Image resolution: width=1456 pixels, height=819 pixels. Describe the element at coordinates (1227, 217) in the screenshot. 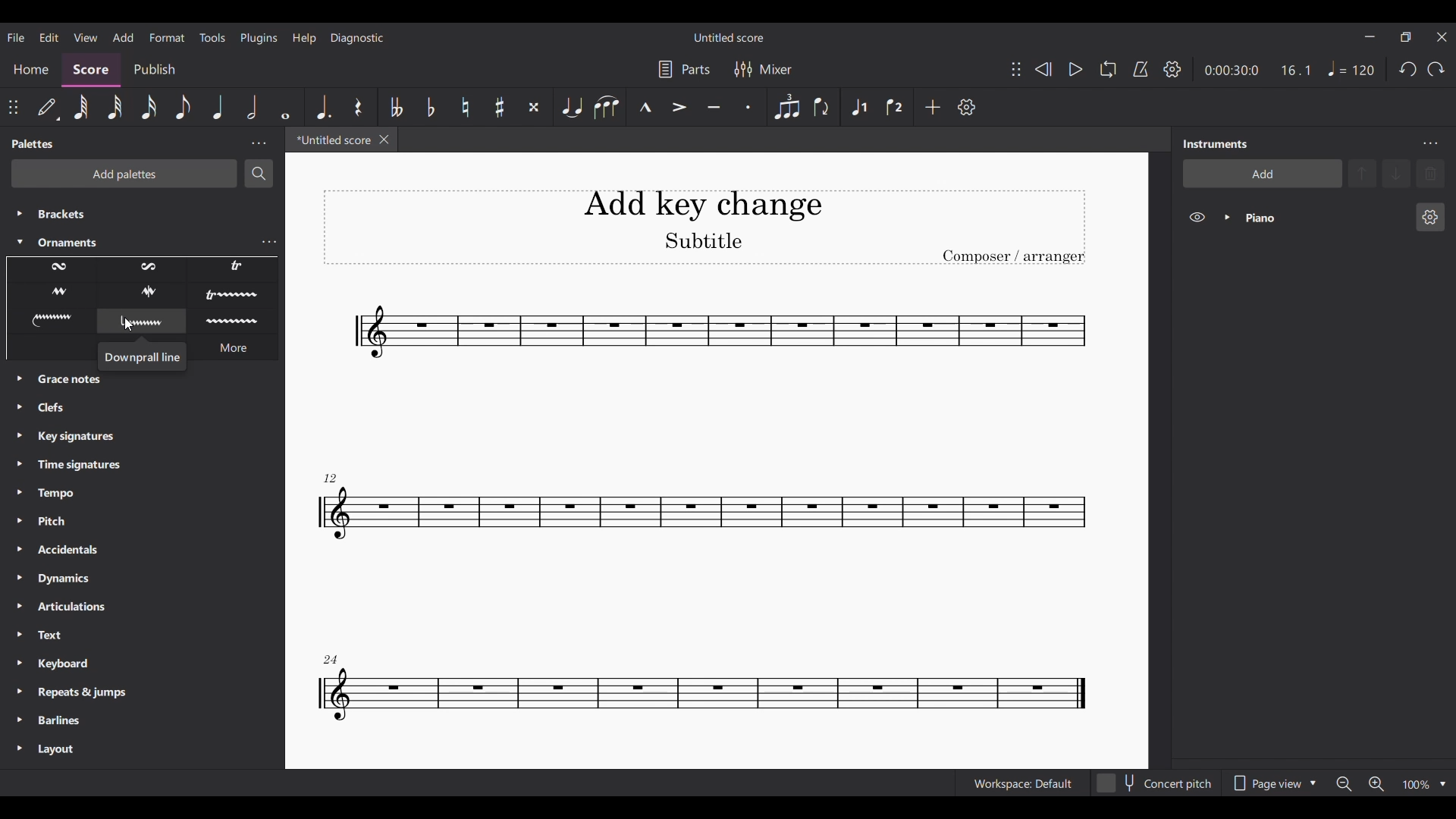

I see `Expand piano` at that location.